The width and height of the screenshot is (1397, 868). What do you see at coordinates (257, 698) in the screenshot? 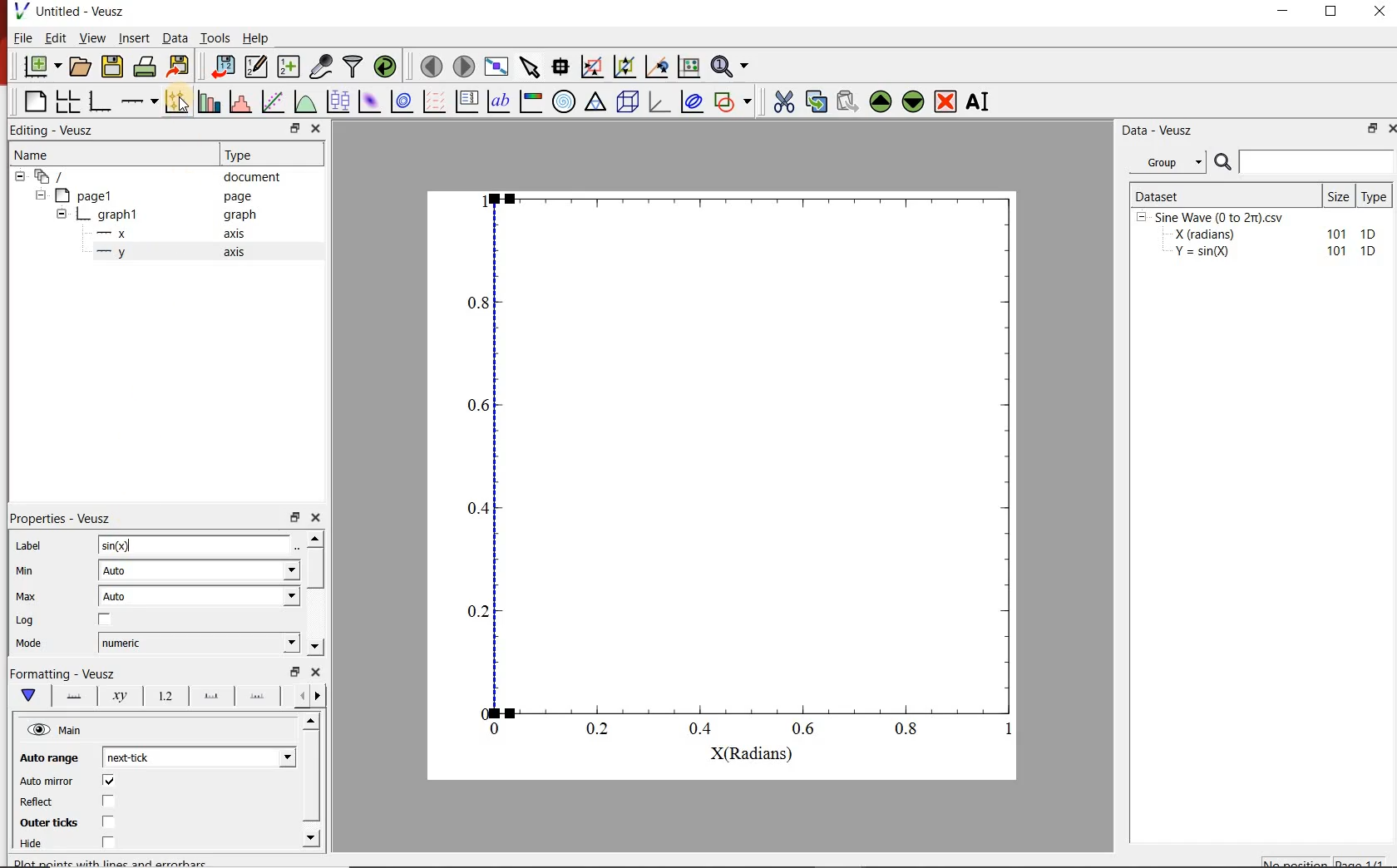
I see `options` at bounding box center [257, 698].